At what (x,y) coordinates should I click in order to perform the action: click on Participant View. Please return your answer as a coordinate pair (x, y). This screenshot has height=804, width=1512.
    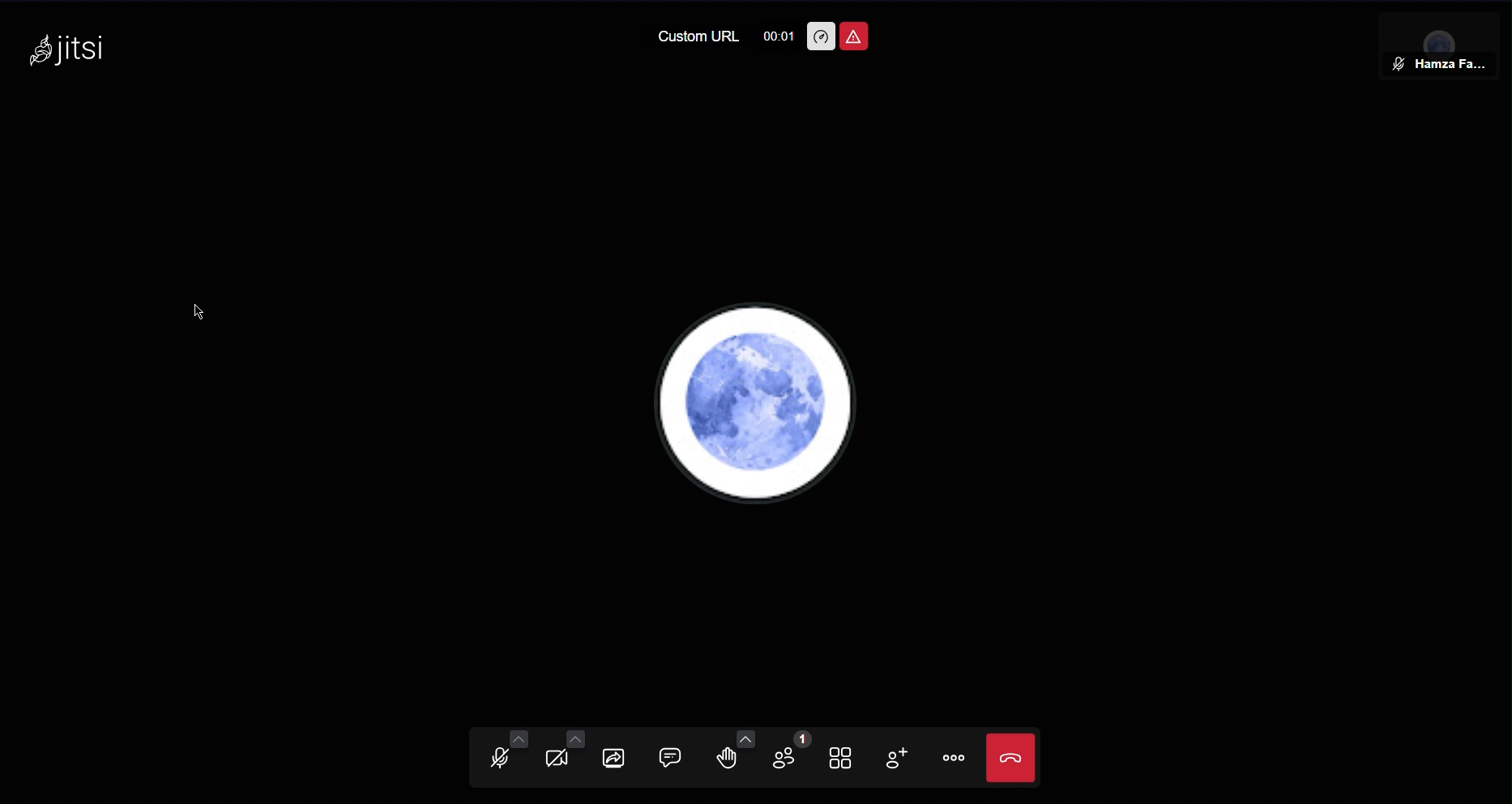
    Looking at the image, I should click on (1449, 42).